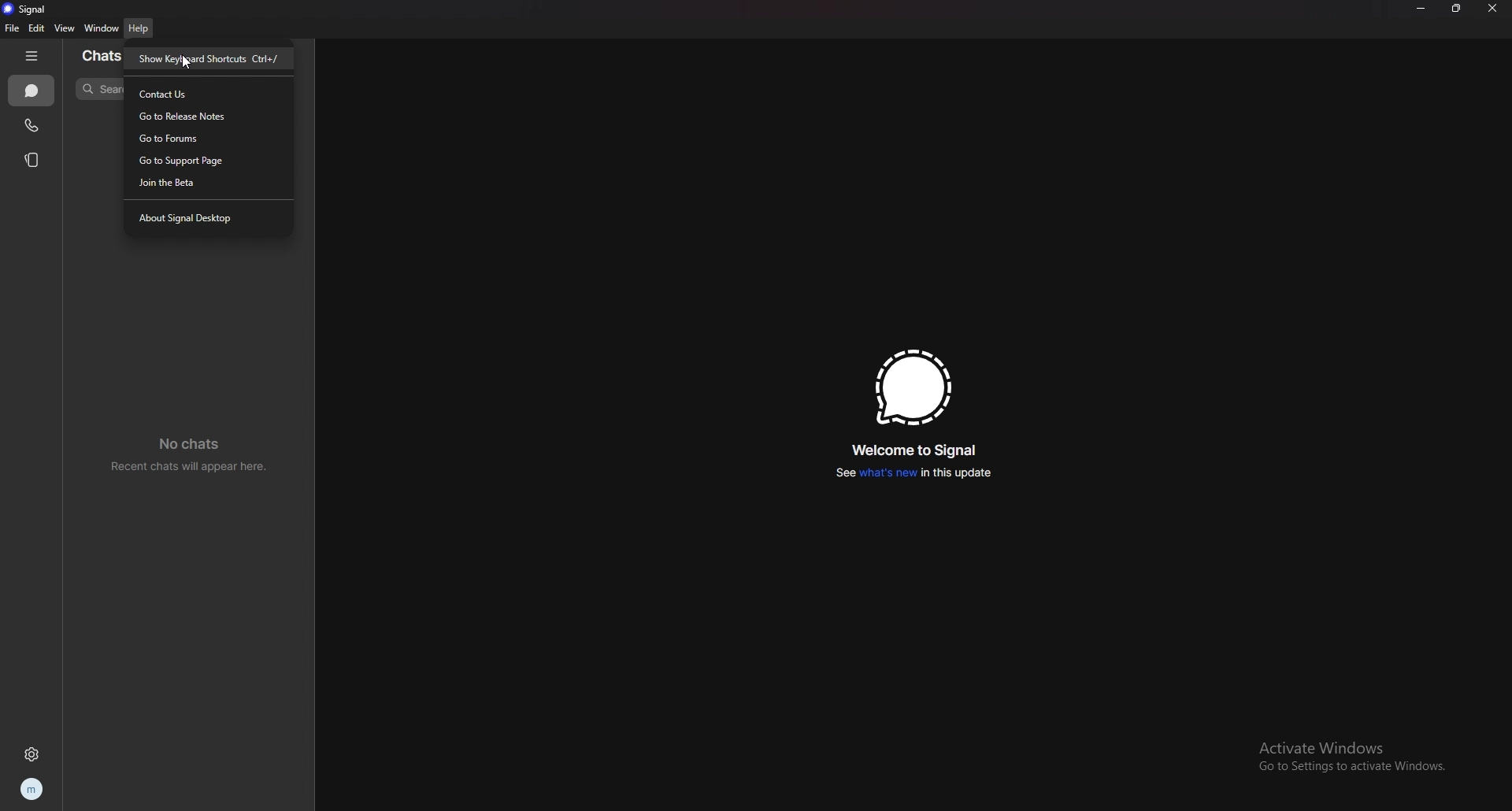 The width and height of the screenshot is (1512, 811). Describe the element at coordinates (35, 9) in the screenshot. I see `signal` at that location.